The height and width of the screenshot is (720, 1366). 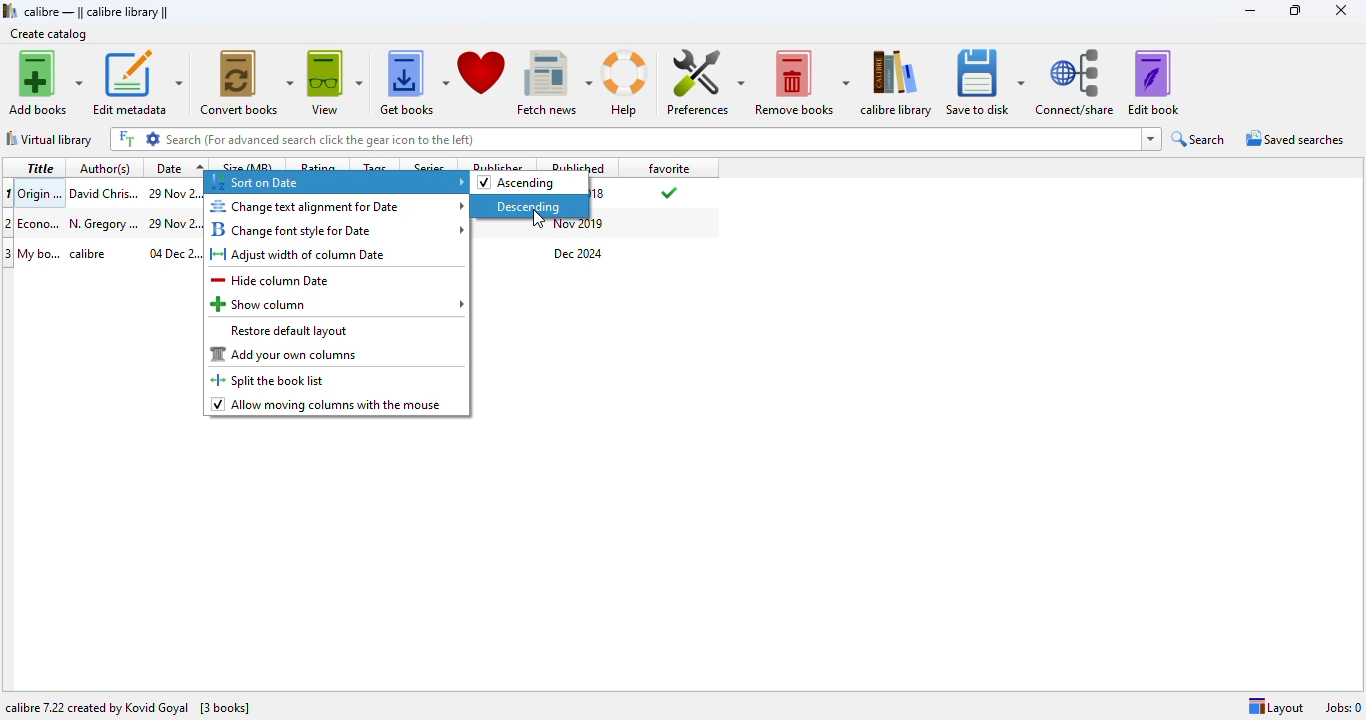 I want to click on title, so click(x=40, y=253).